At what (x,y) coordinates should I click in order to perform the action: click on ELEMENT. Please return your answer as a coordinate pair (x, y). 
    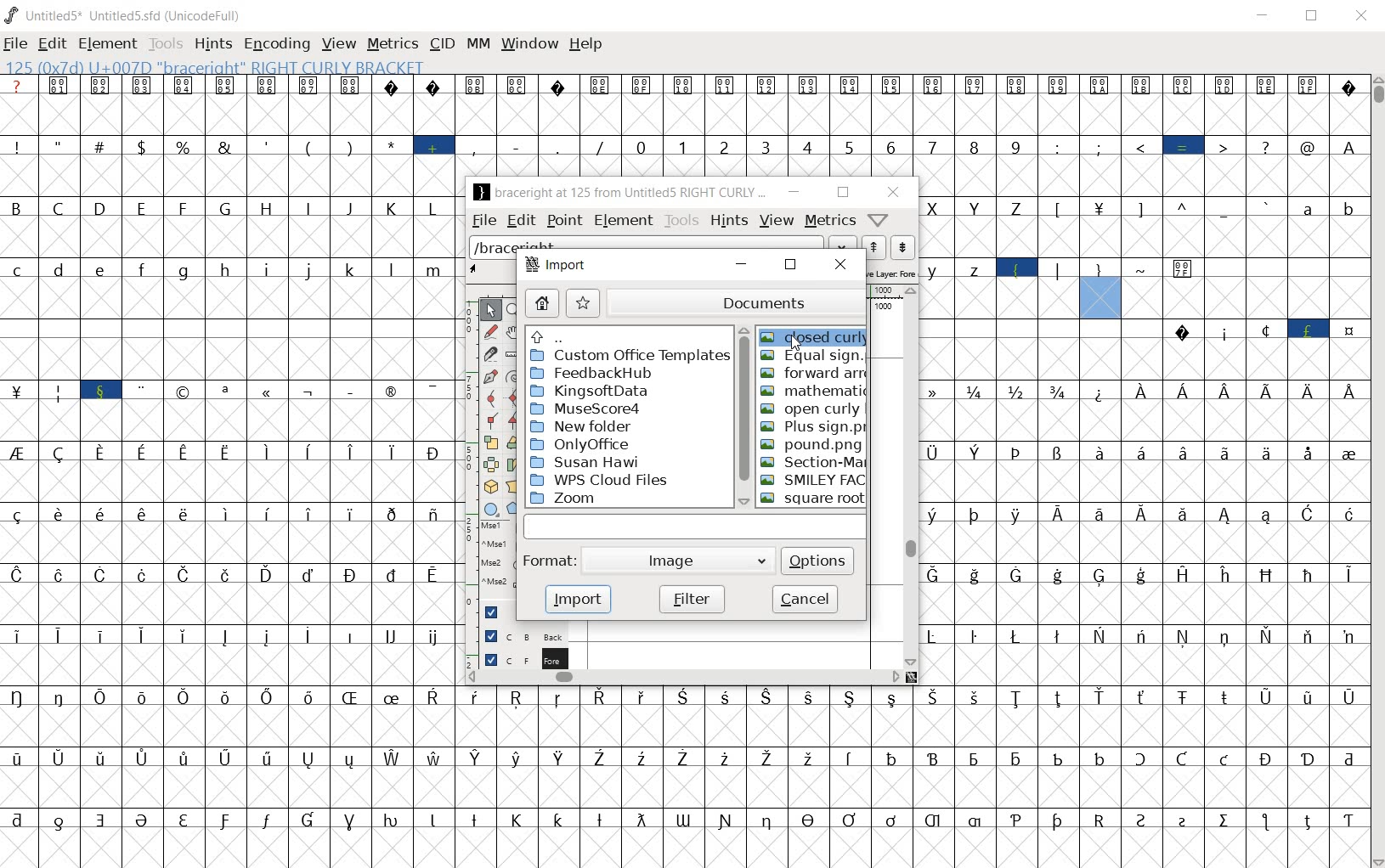
    Looking at the image, I should click on (107, 44).